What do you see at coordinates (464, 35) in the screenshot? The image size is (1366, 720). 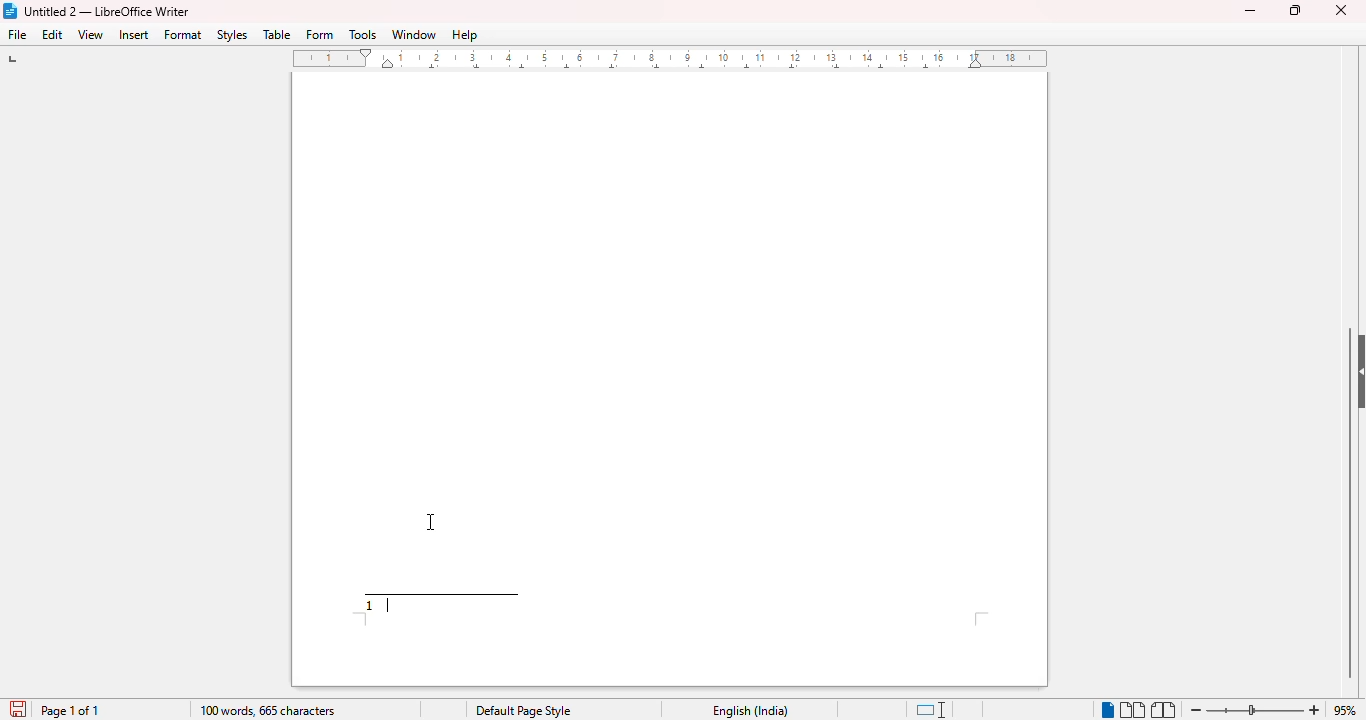 I see `help` at bounding box center [464, 35].